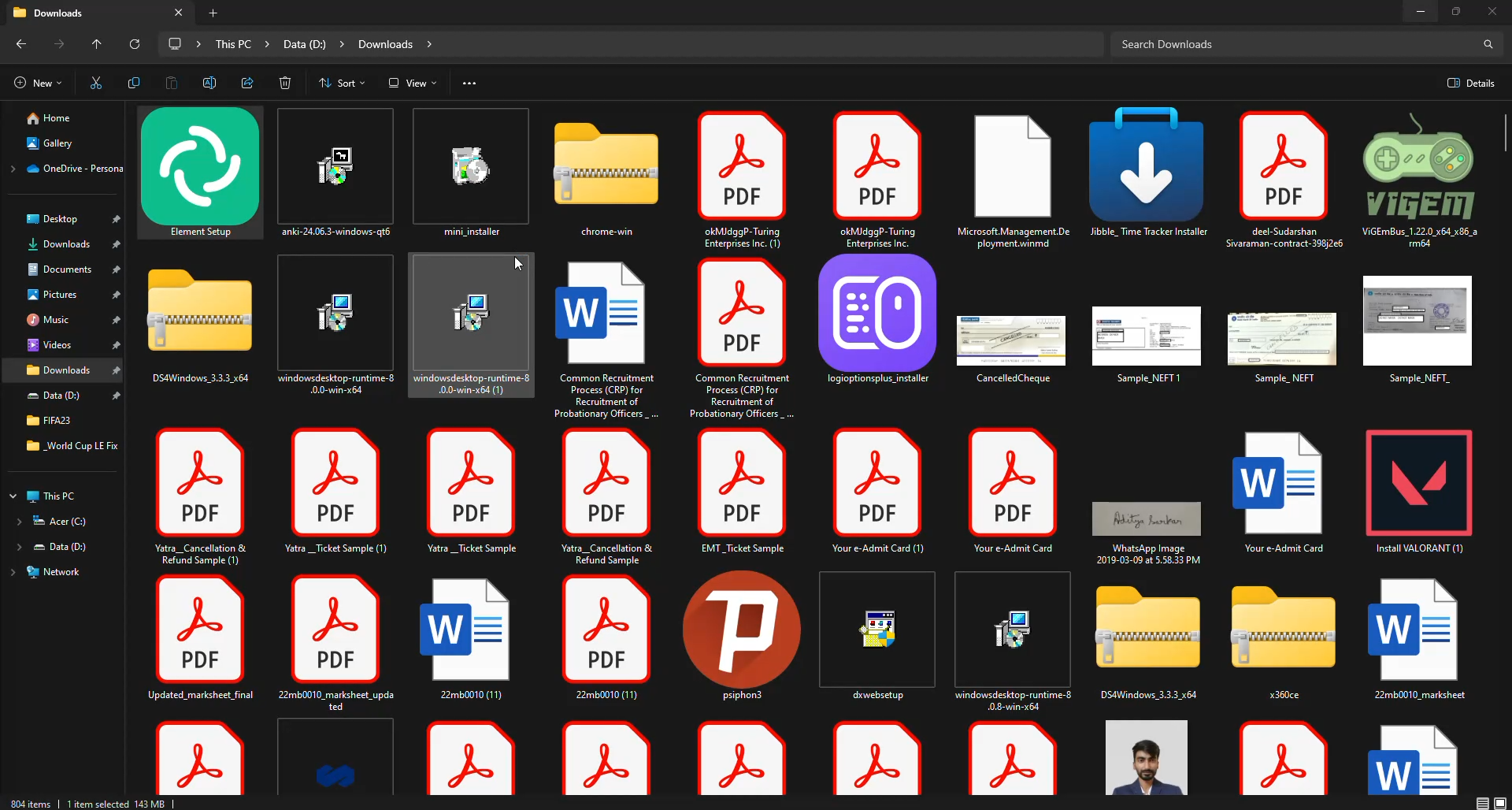 The width and height of the screenshot is (1512, 810). What do you see at coordinates (611, 639) in the screenshot?
I see `file` at bounding box center [611, 639].